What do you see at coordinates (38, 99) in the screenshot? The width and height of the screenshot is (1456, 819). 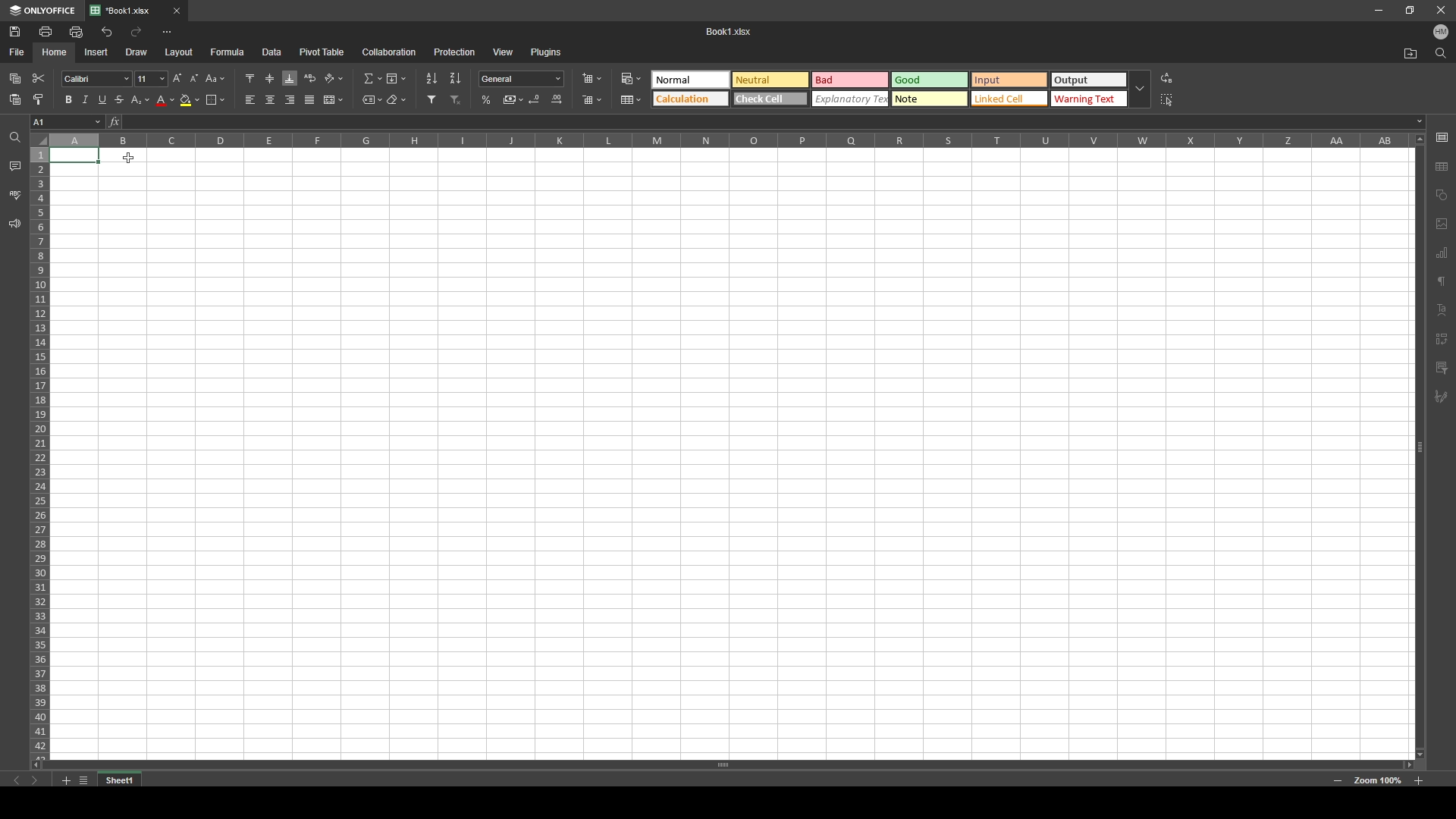 I see `copy style` at bounding box center [38, 99].